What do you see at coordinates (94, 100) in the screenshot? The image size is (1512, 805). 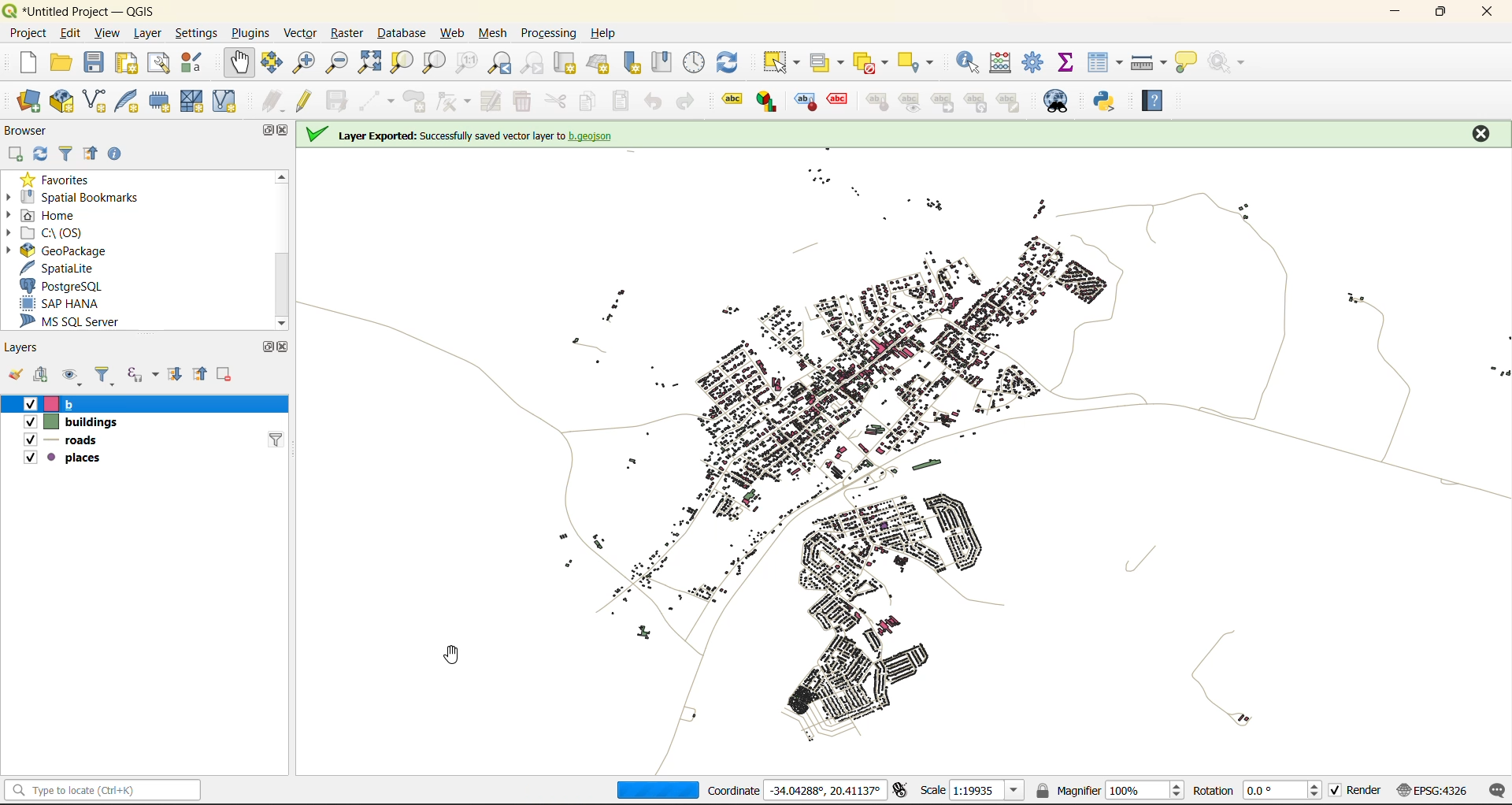 I see `new shapefile` at bounding box center [94, 100].